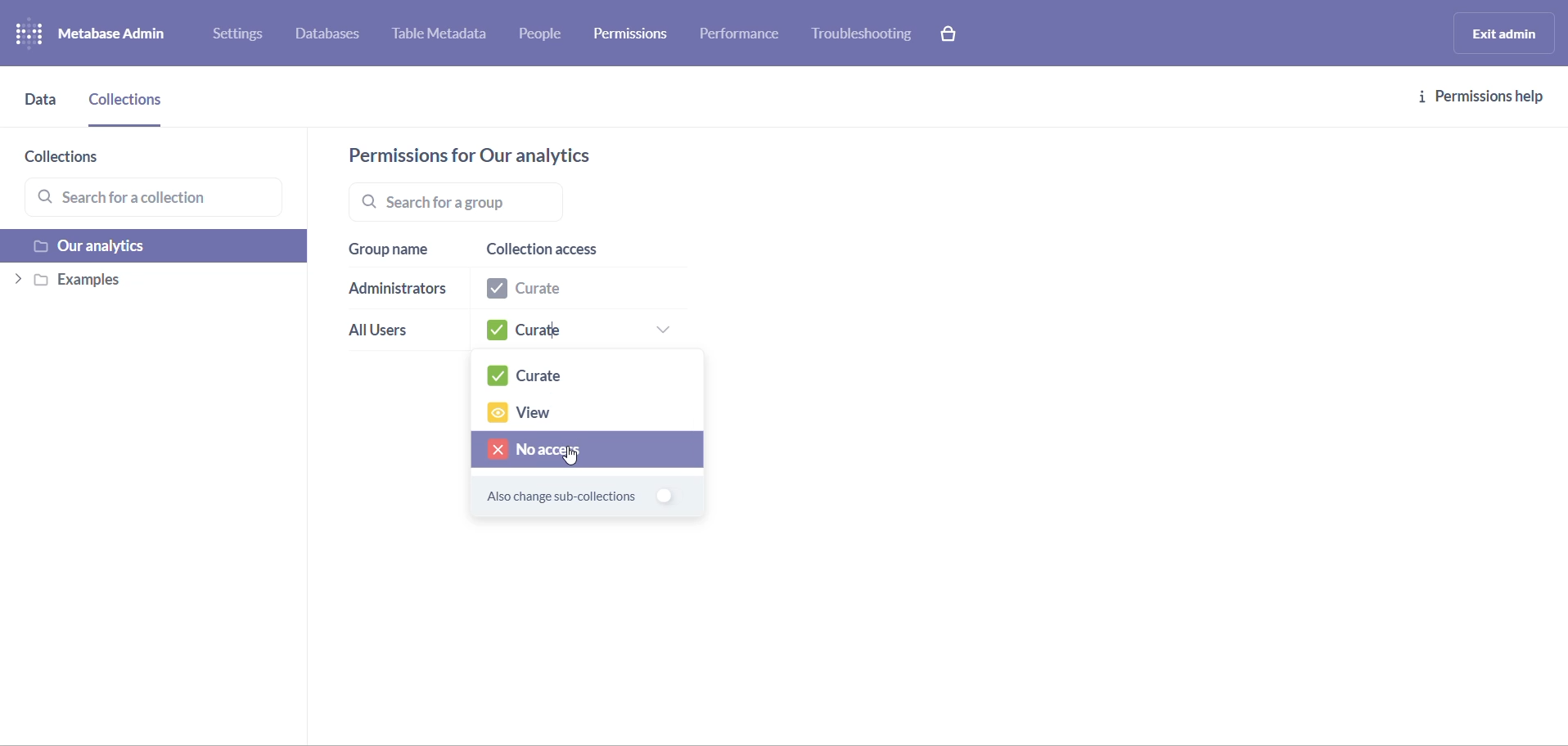  What do you see at coordinates (581, 332) in the screenshot?
I see `access level` at bounding box center [581, 332].